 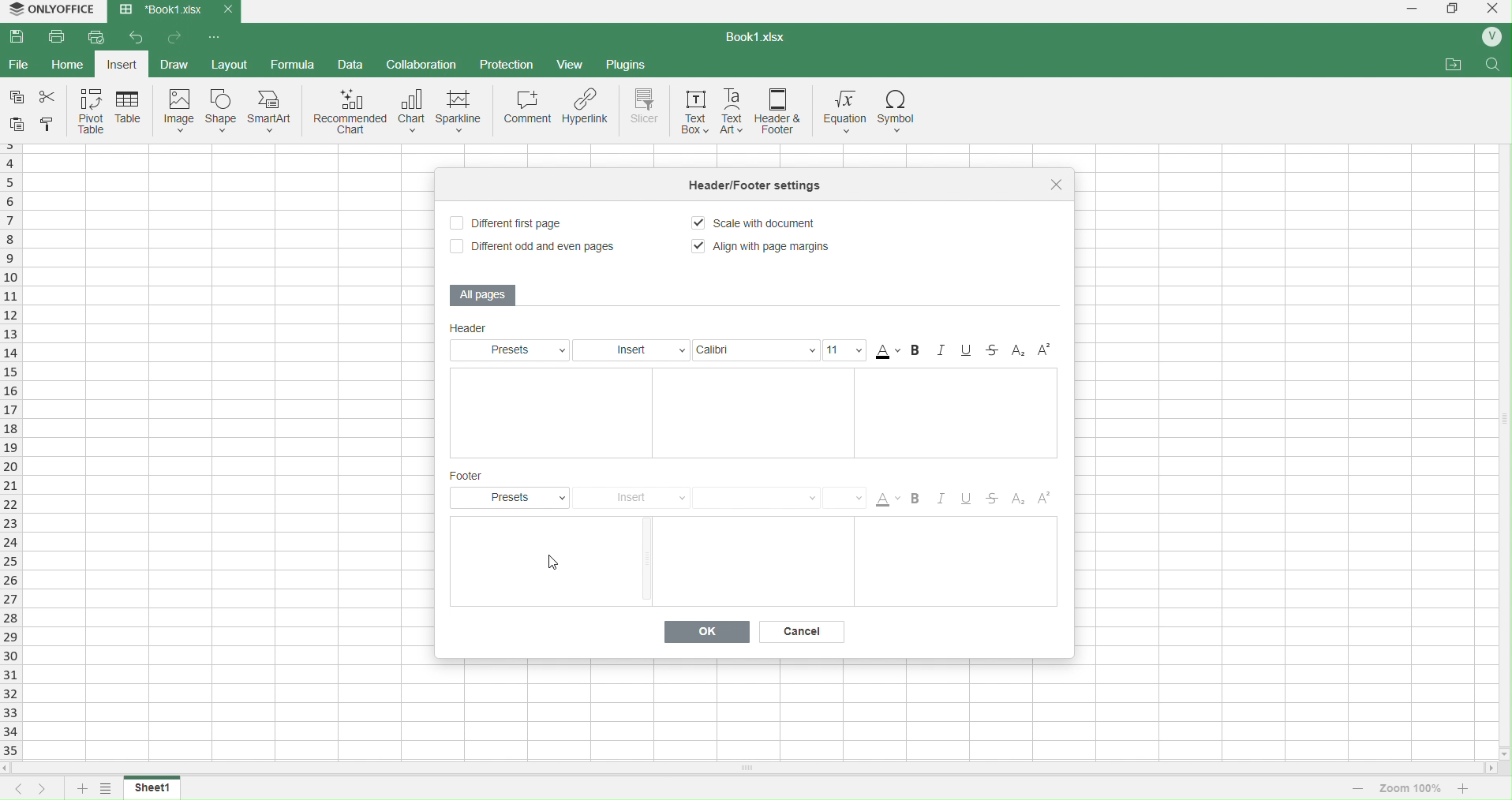 I want to click on Different First Page, so click(x=515, y=222).